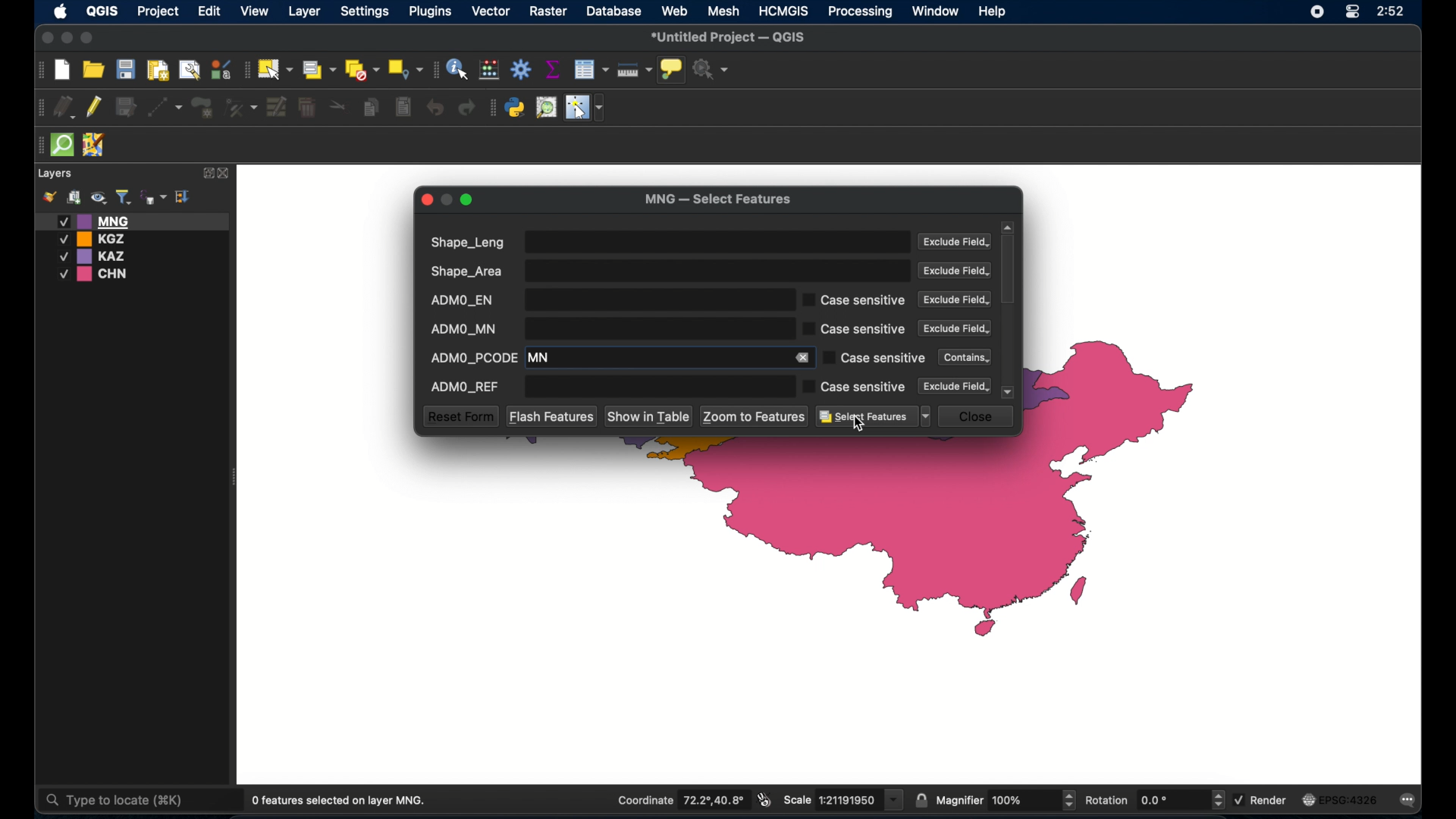  What do you see at coordinates (225, 174) in the screenshot?
I see `close` at bounding box center [225, 174].